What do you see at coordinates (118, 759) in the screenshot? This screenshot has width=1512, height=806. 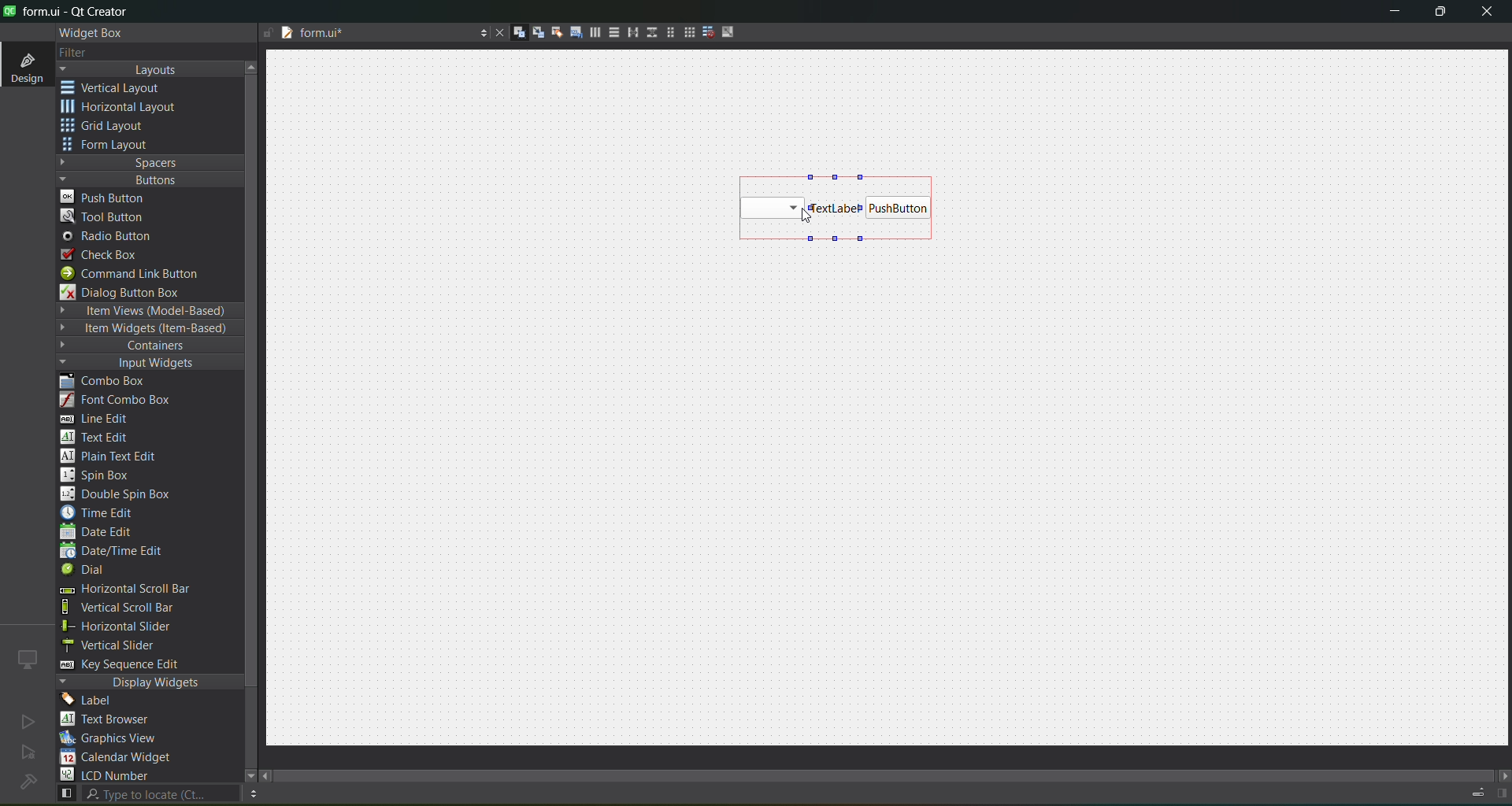 I see `calendar` at bounding box center [118, 759].